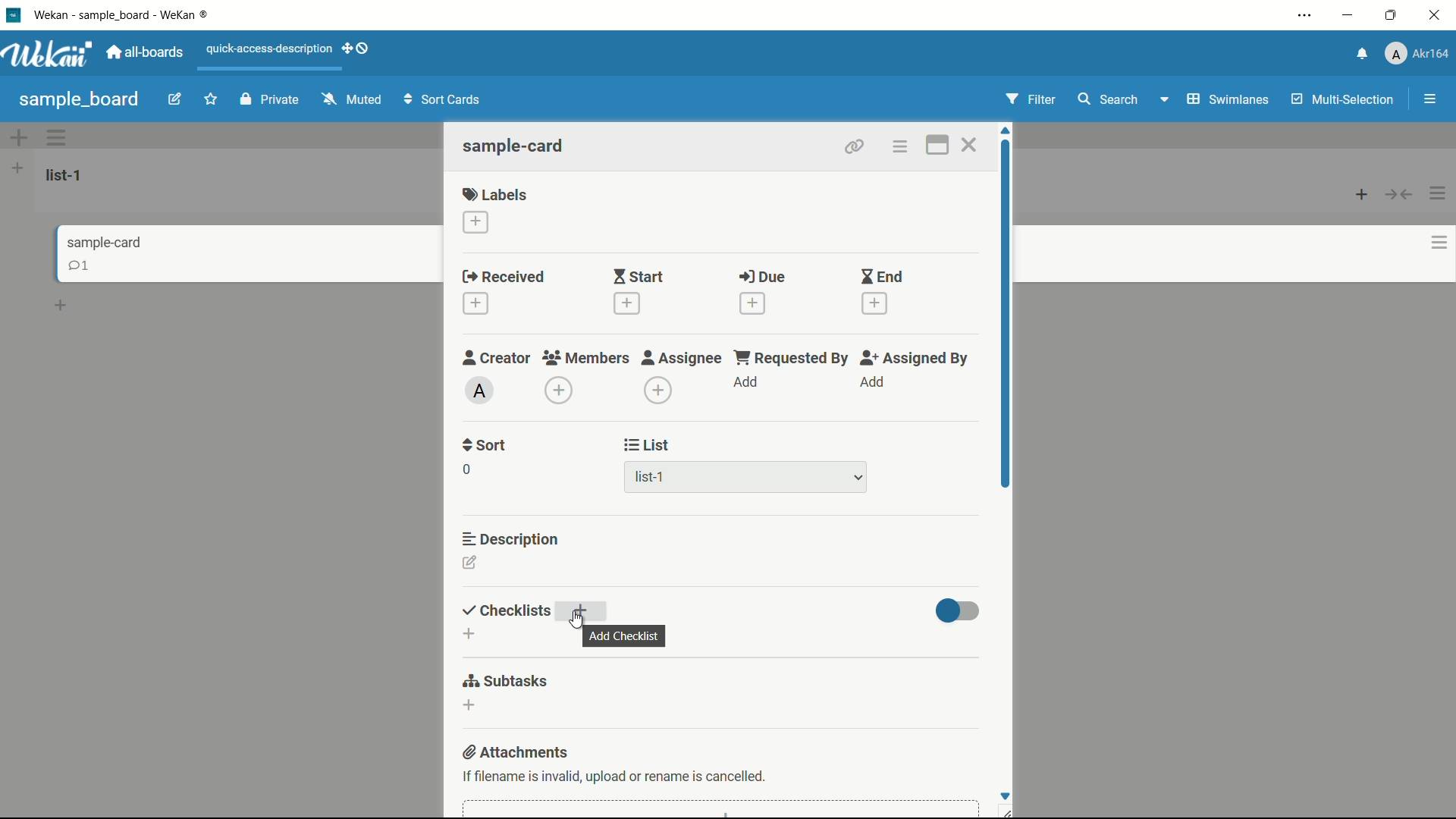 The image size is (1456, 819). I want to click on add, so click(748, 383).